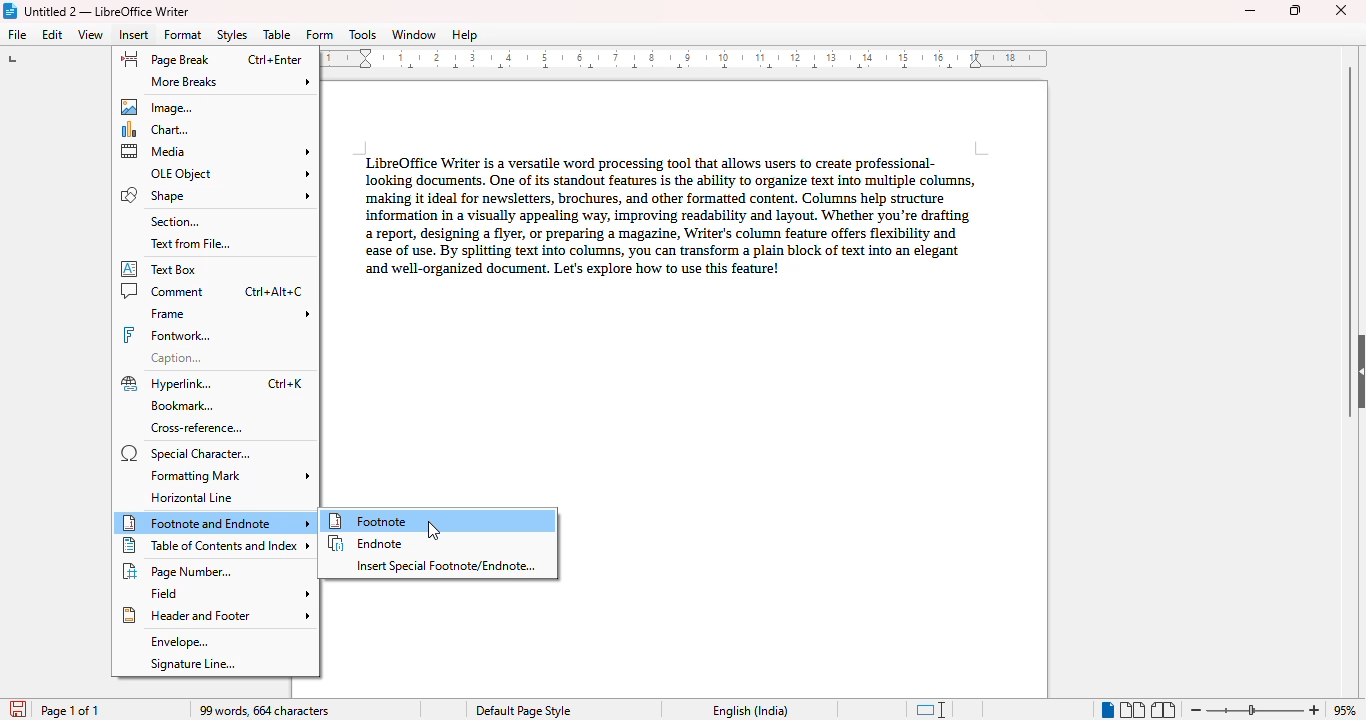 The image size is (1366, 720). I want to click on Default page style, so click(522, 711).